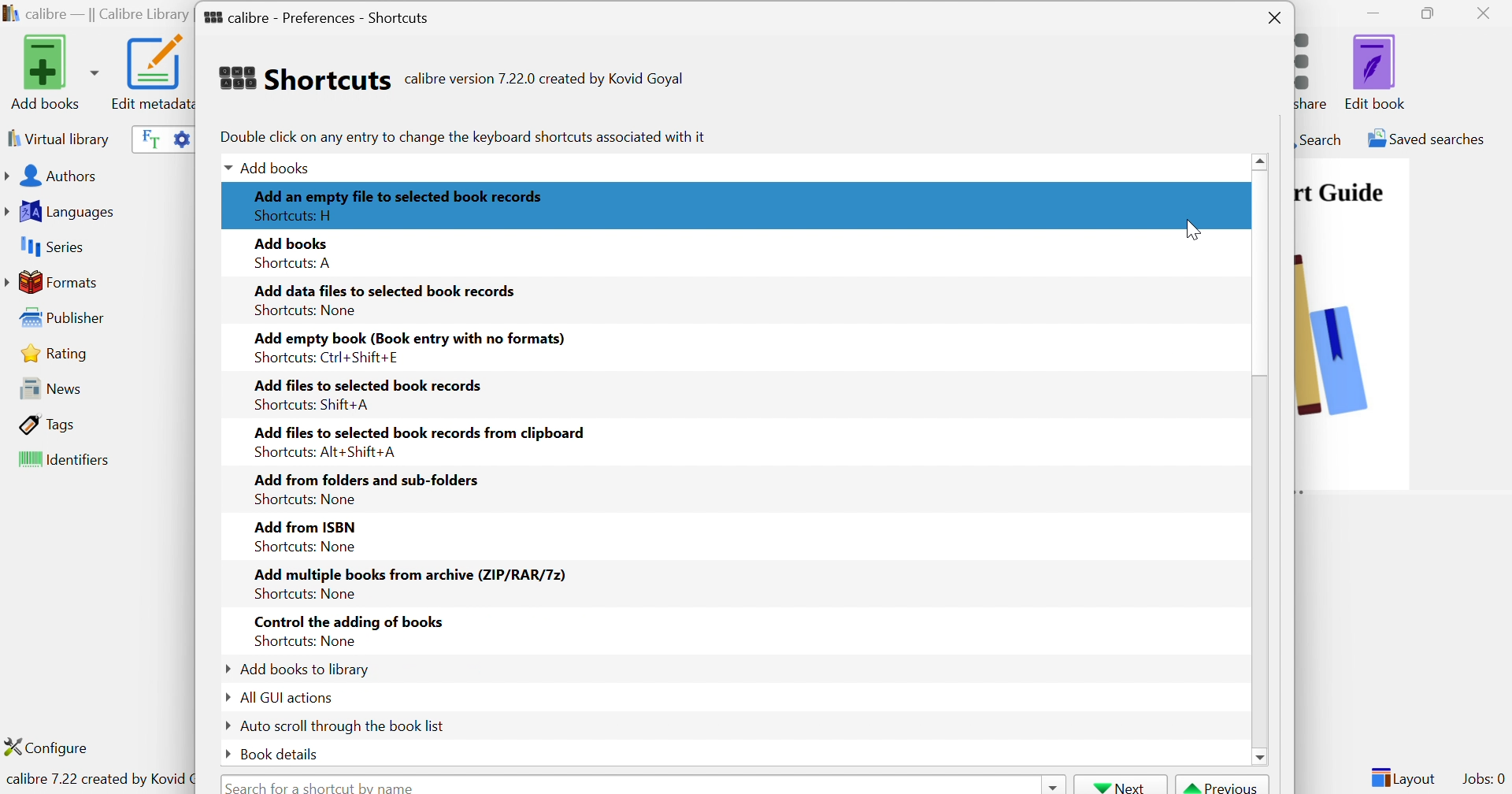 Image resolution: width=1512 pixels, height=794 pixels. Describe the element at coordinates (306, 594) in the screenshot. I see `Shortcuts: None` at that location.